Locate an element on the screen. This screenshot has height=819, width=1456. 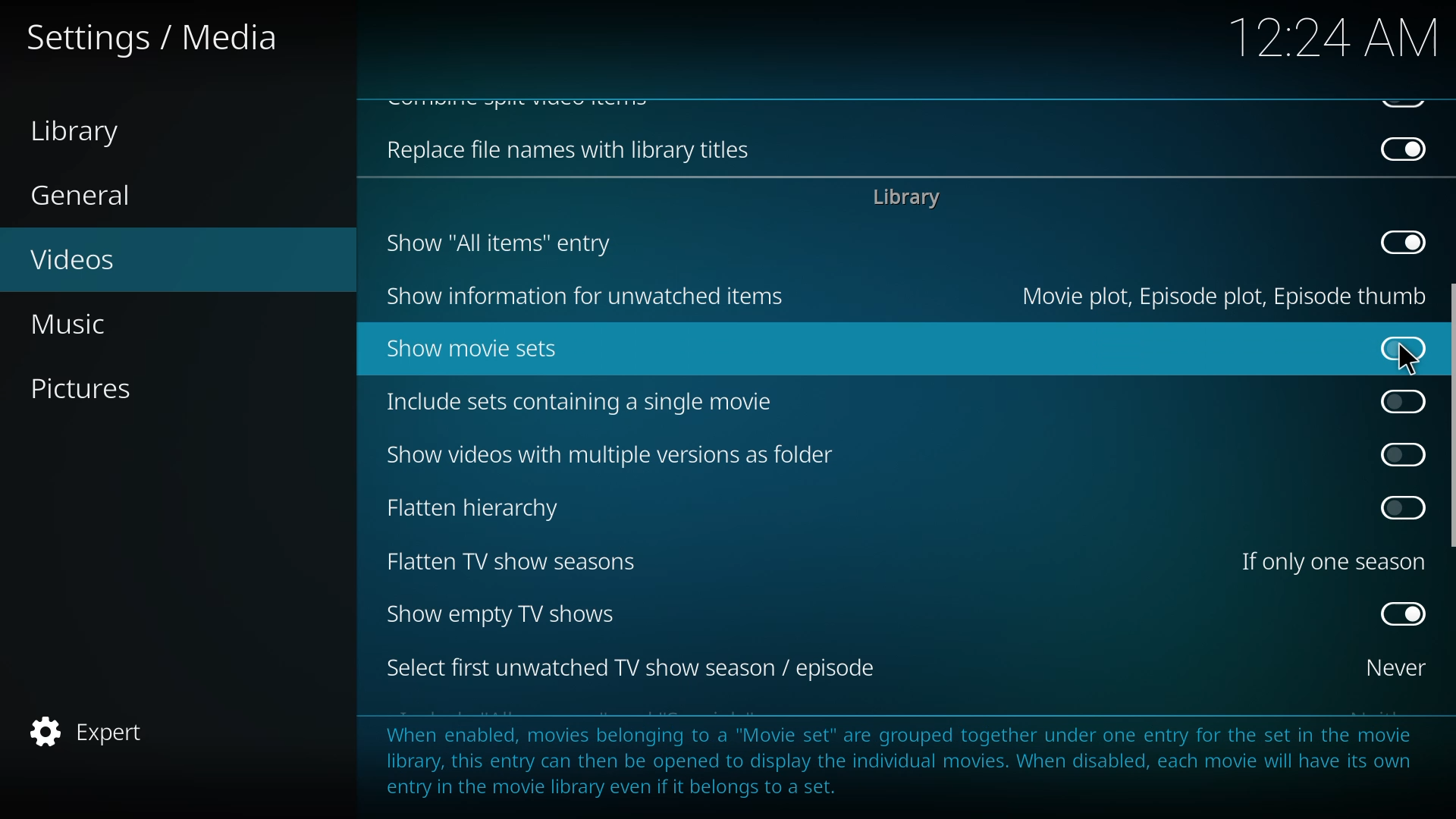
movie plot is located at coordinates (1217, 295).